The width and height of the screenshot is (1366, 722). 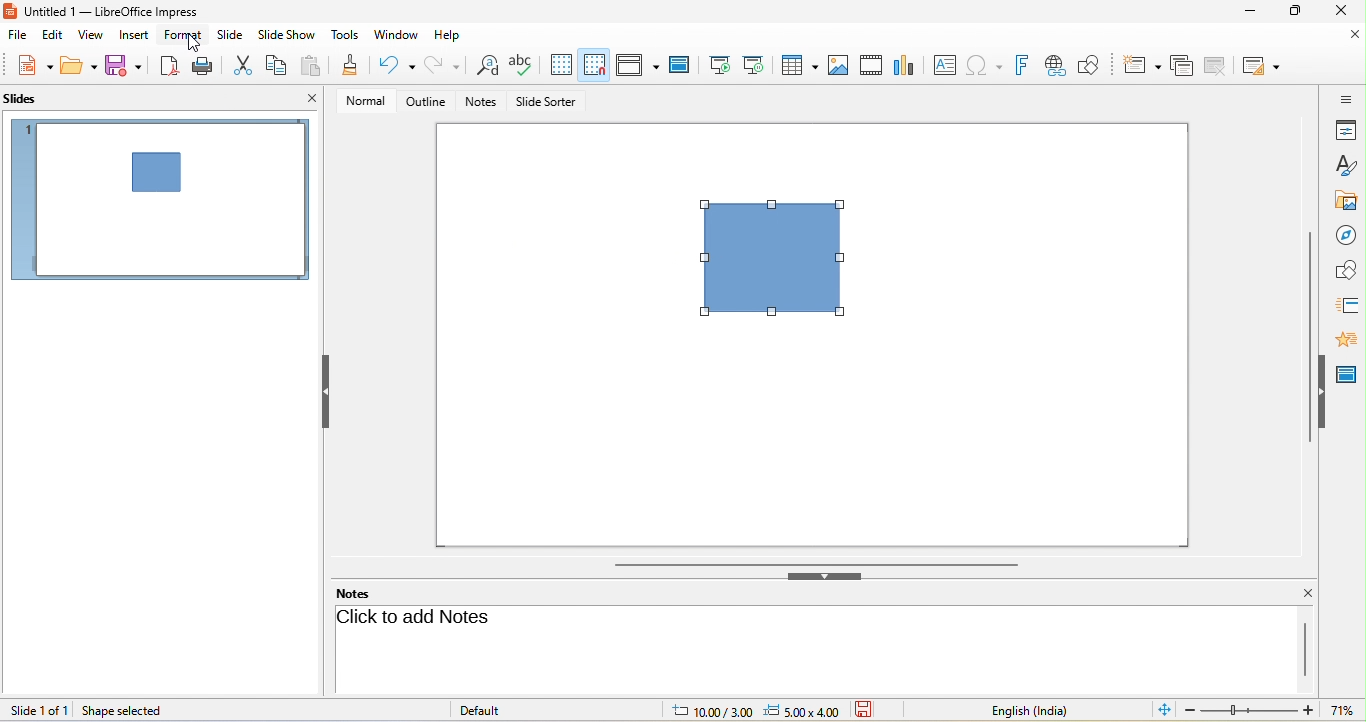 I want to click on close, so click(x=310, y=98).